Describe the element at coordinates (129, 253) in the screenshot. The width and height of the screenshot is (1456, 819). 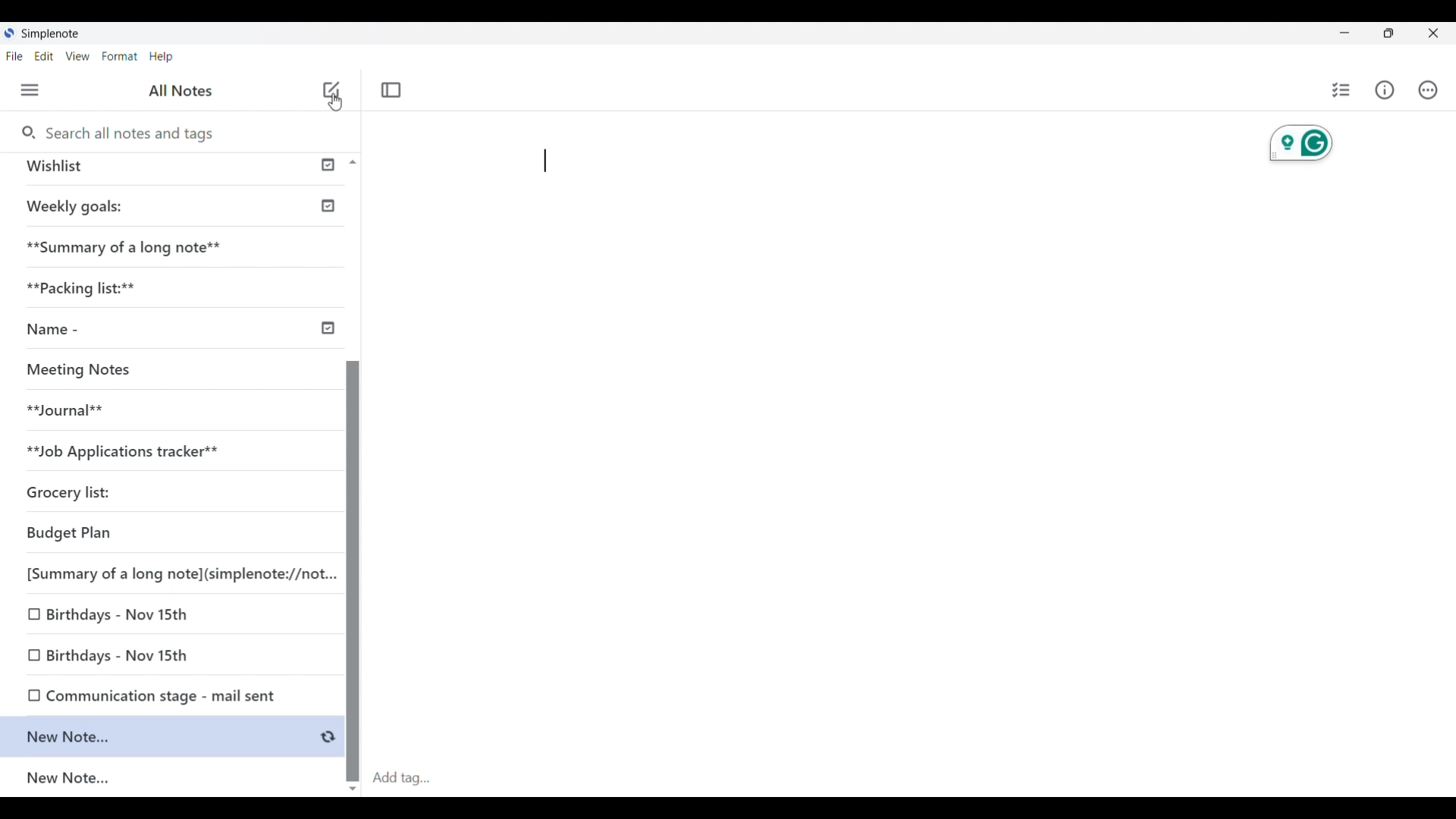
I see `**Summary of a long note**` at that location.